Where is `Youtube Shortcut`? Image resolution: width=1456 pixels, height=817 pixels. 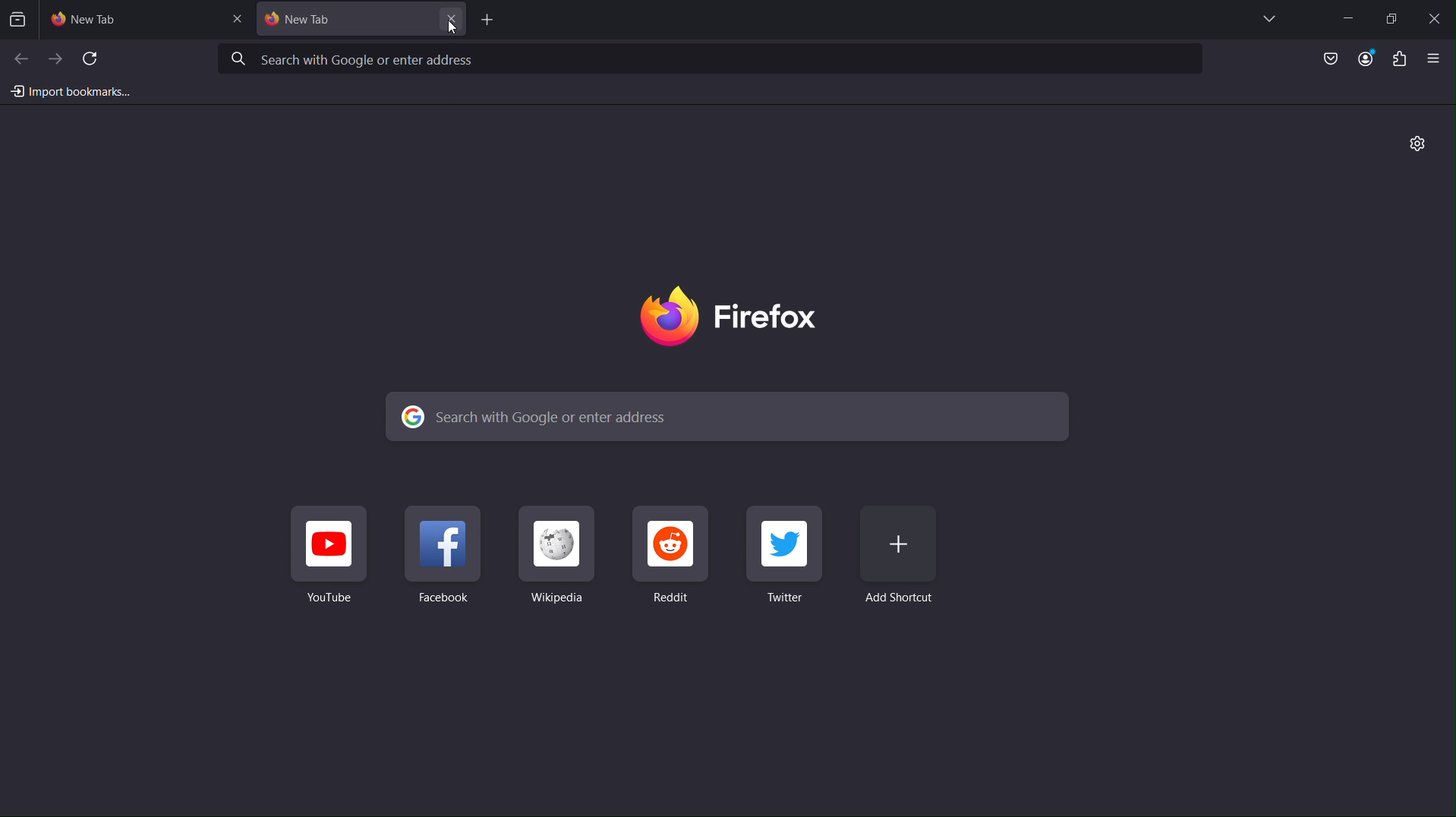 Youtube Shortcut is located at coordinates (329, 559).